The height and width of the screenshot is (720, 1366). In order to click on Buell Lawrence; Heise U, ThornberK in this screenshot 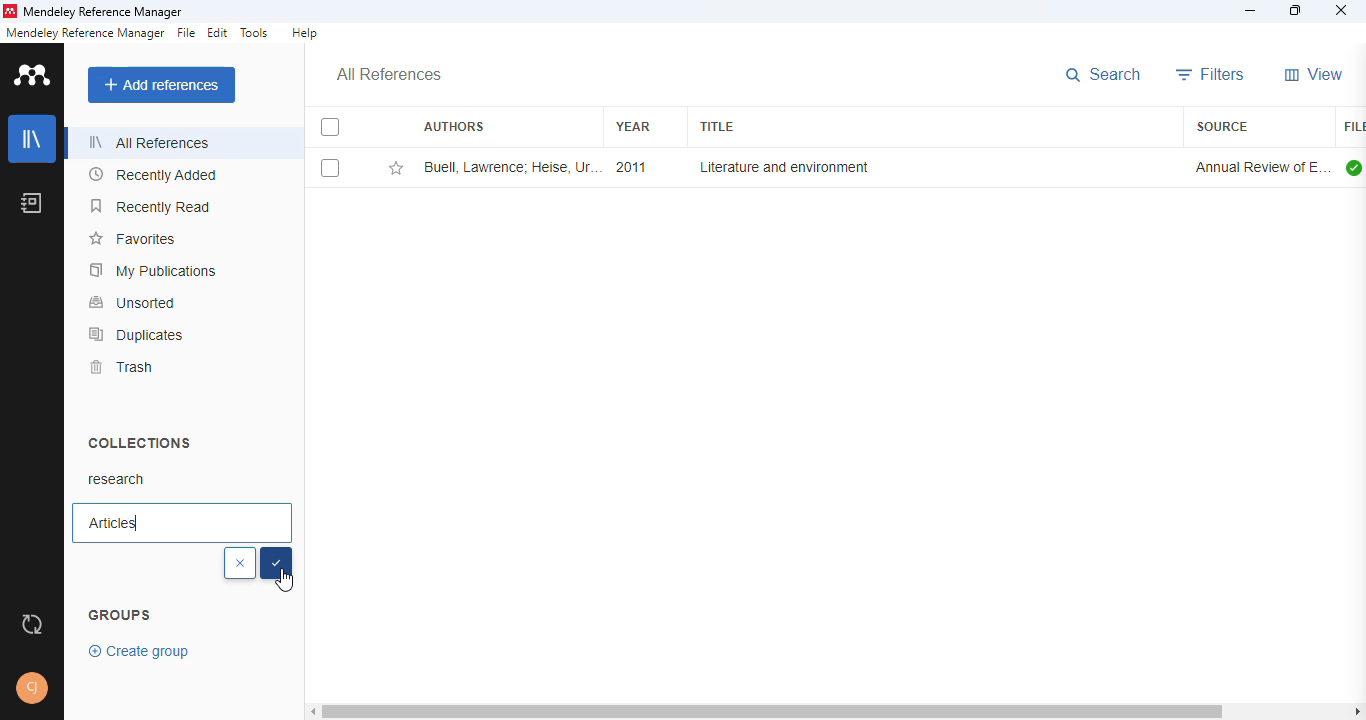, I will do `click(511, 167)`.